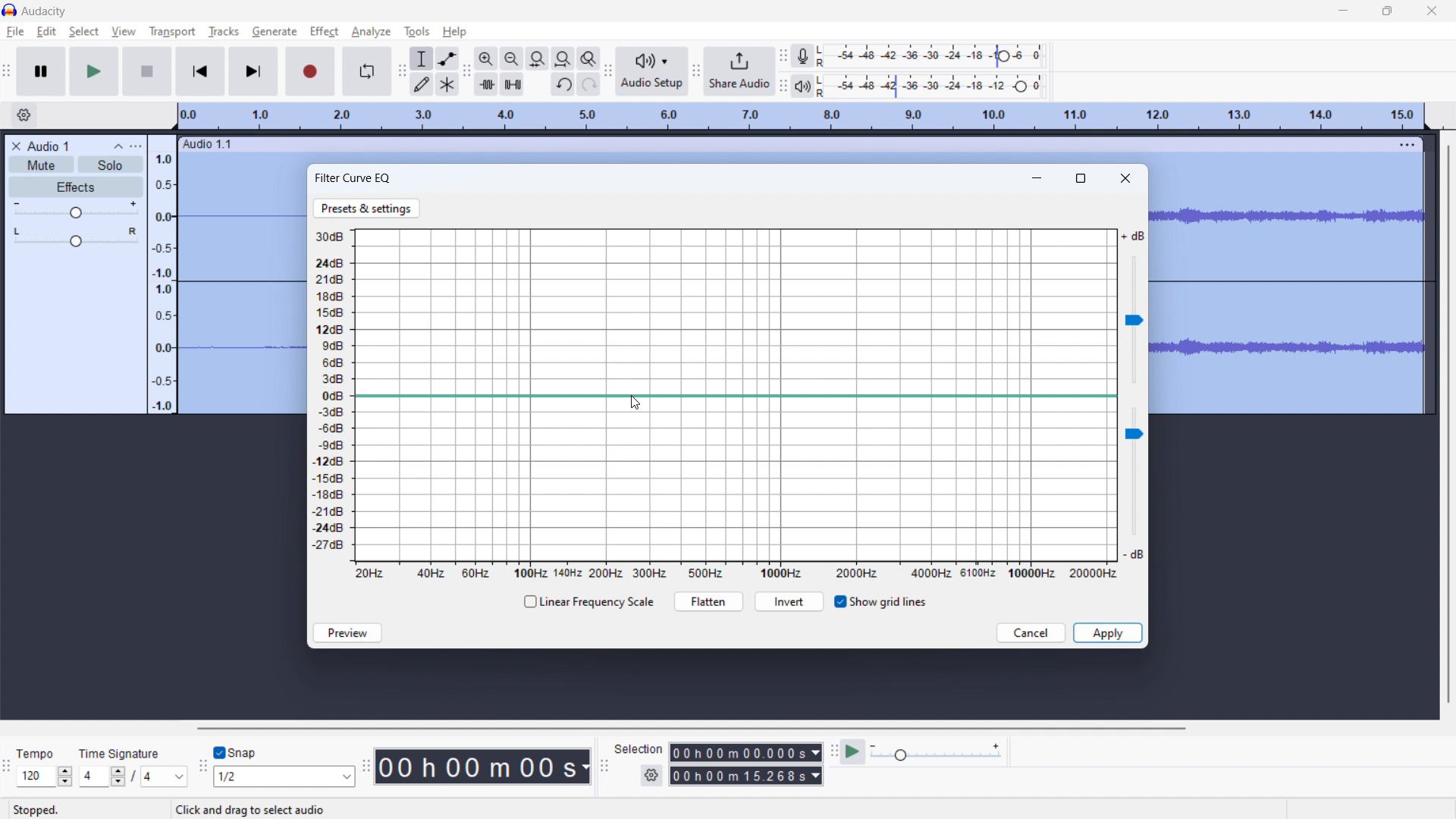  I want to click on selection tool, so click(421, 58).